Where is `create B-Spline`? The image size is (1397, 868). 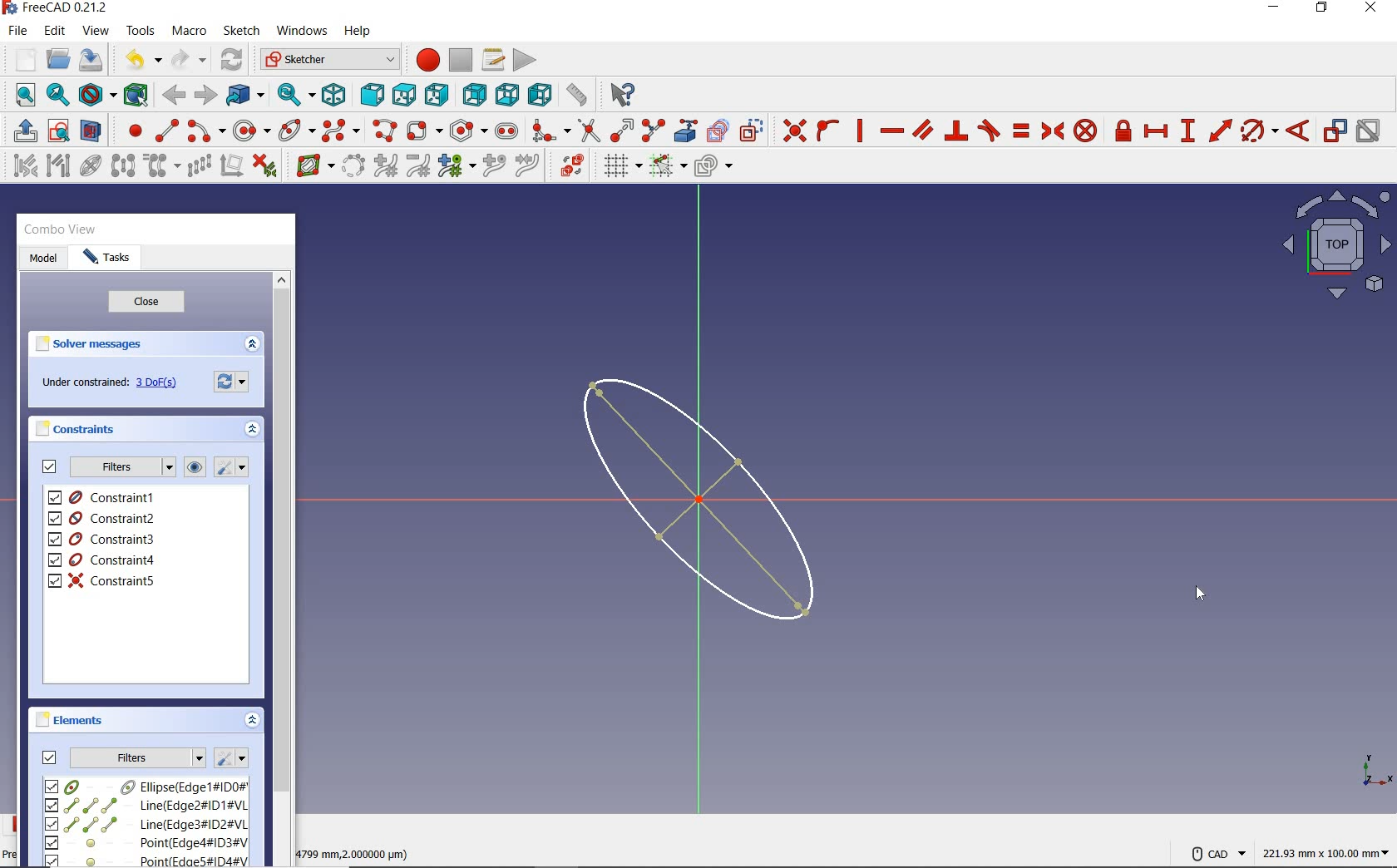 create B-Spline is located at coordinates (340, 130).